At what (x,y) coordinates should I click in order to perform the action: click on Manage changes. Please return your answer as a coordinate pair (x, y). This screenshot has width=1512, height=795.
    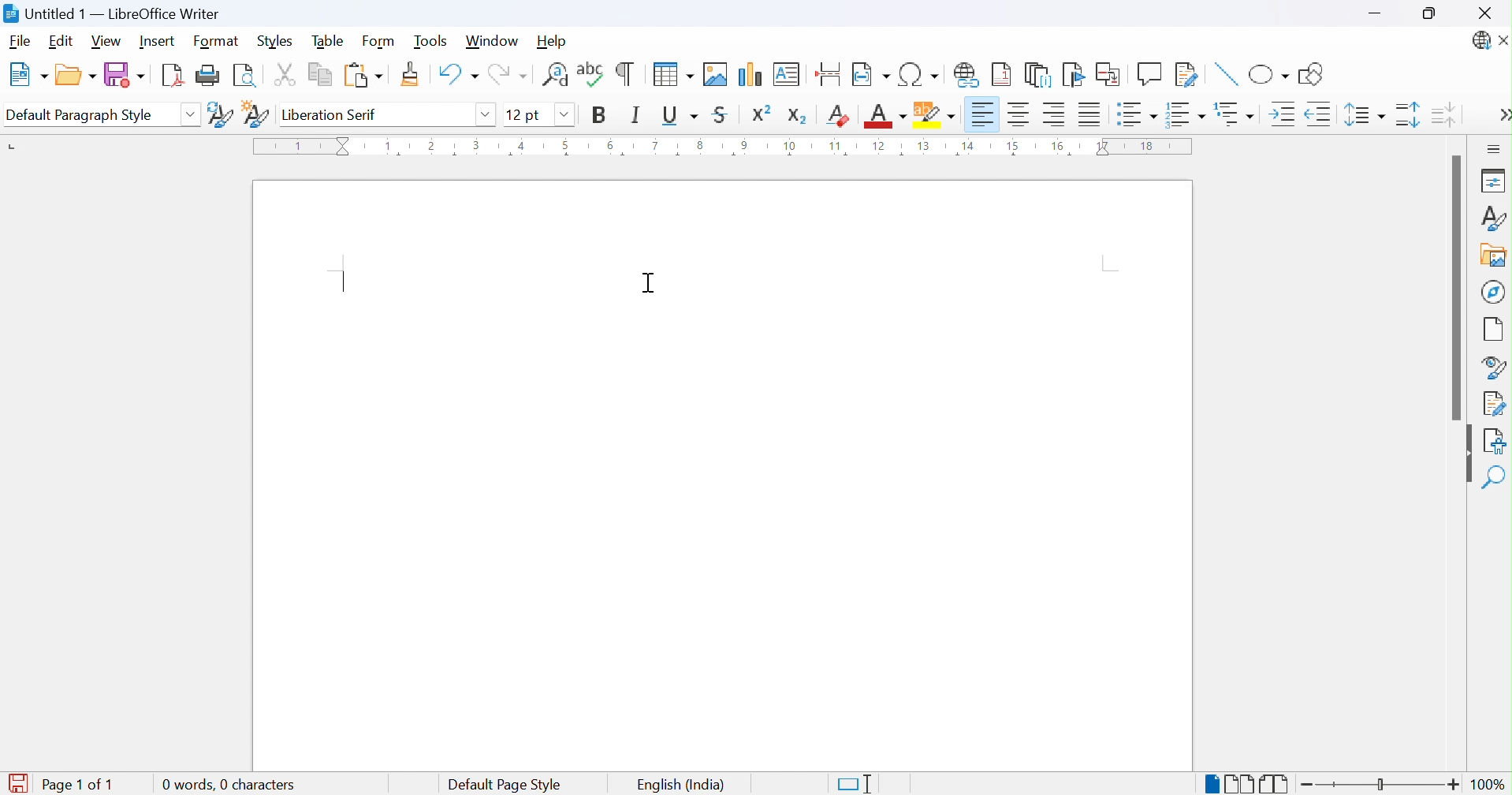
    Looking at the image, I should click on (1494, 405).